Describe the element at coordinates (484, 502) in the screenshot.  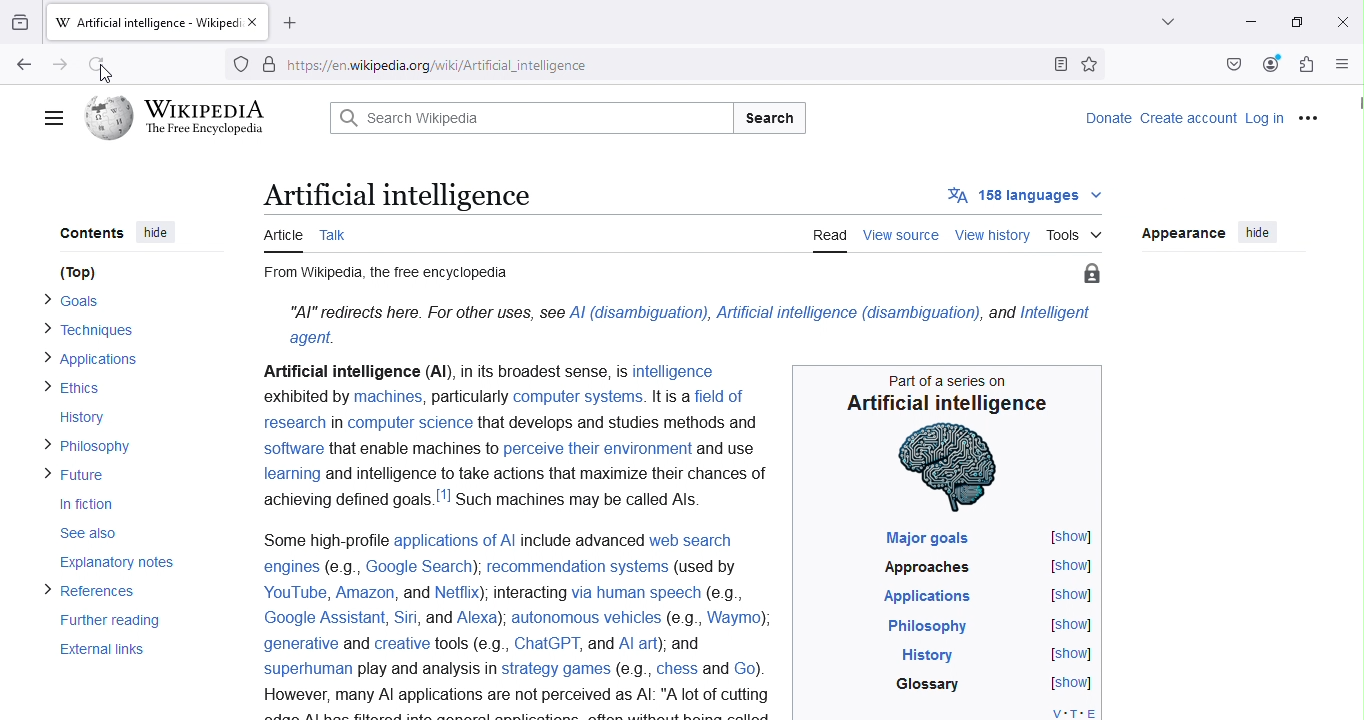
I see `achieving defined goals.!"! Such machines may be called Als.` at that location.